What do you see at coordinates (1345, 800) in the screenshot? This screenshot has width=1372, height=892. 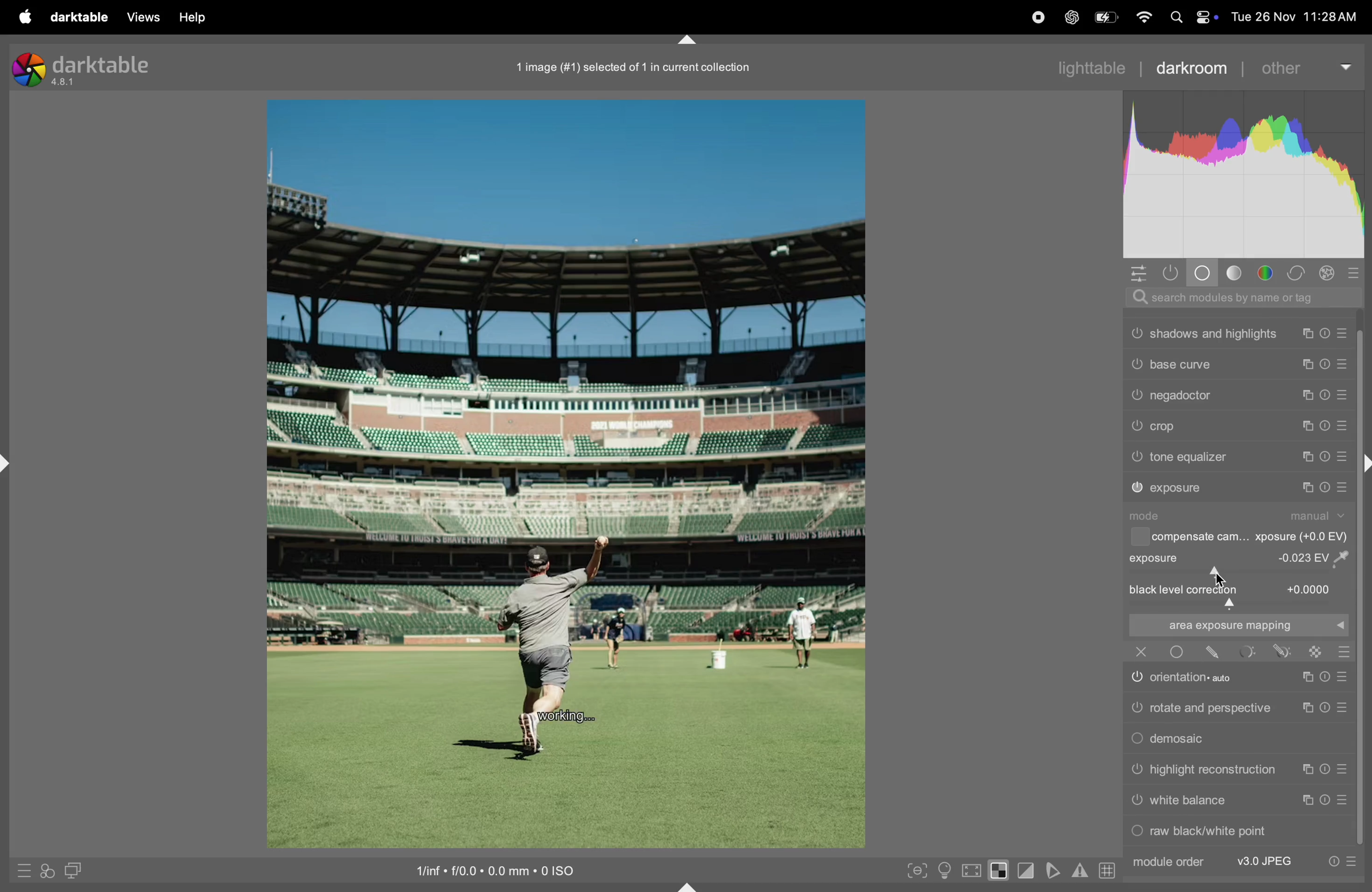 I see `Preset` at bounding box center [1345, 800].